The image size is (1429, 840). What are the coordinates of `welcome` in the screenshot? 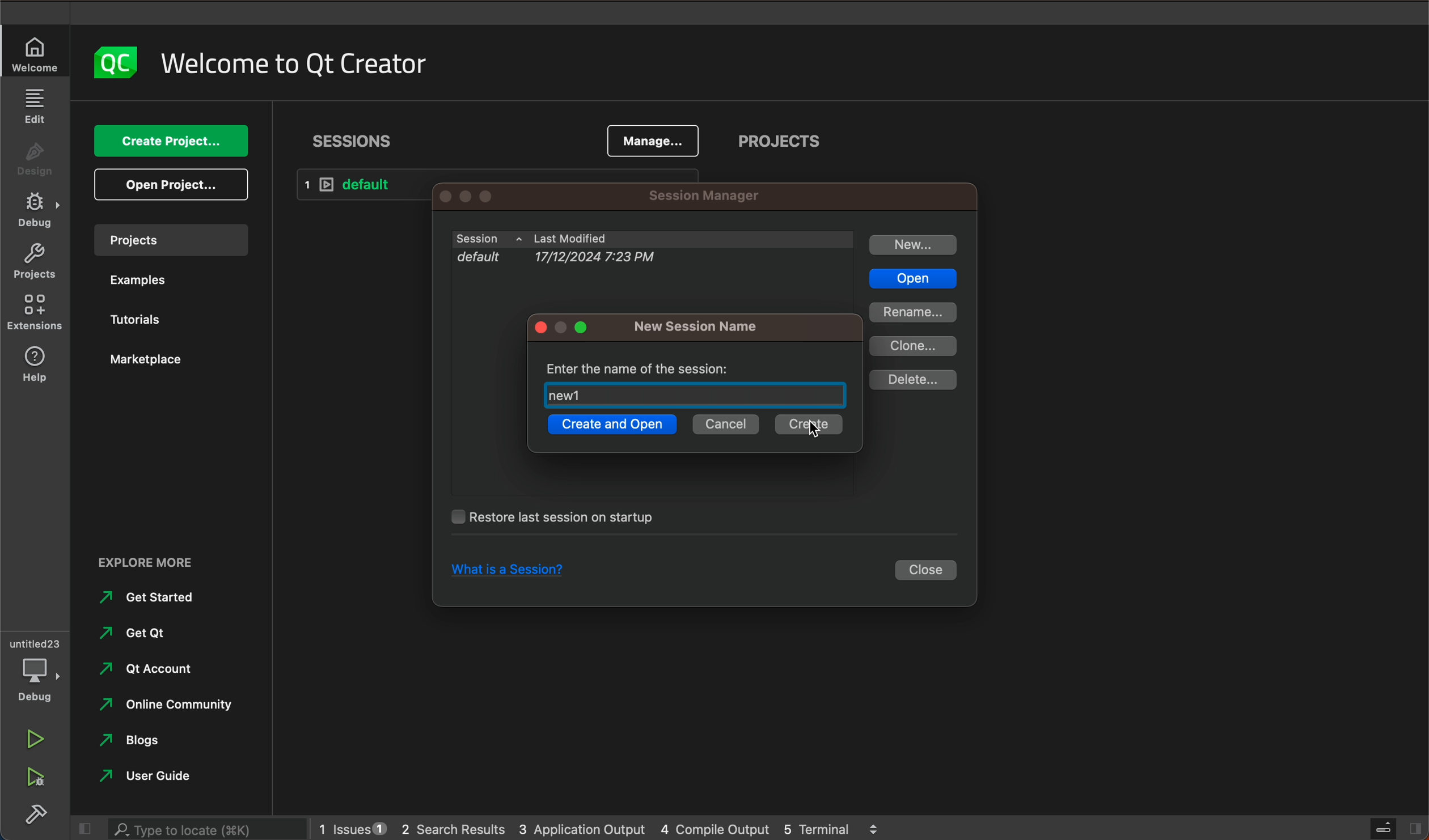 It's located at (36, 55).